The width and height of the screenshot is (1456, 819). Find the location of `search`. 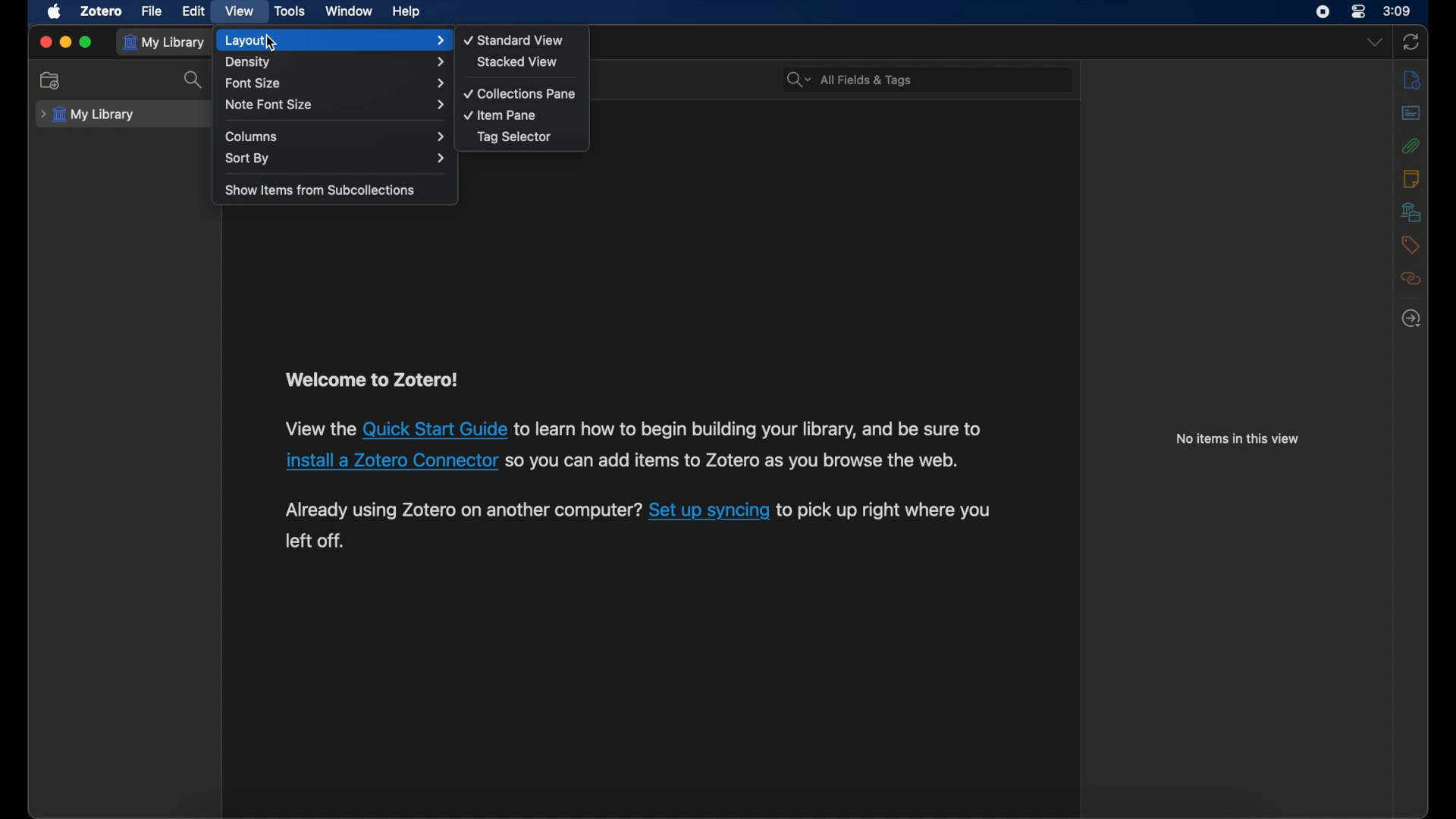

search is located at coordinates (851, 80).